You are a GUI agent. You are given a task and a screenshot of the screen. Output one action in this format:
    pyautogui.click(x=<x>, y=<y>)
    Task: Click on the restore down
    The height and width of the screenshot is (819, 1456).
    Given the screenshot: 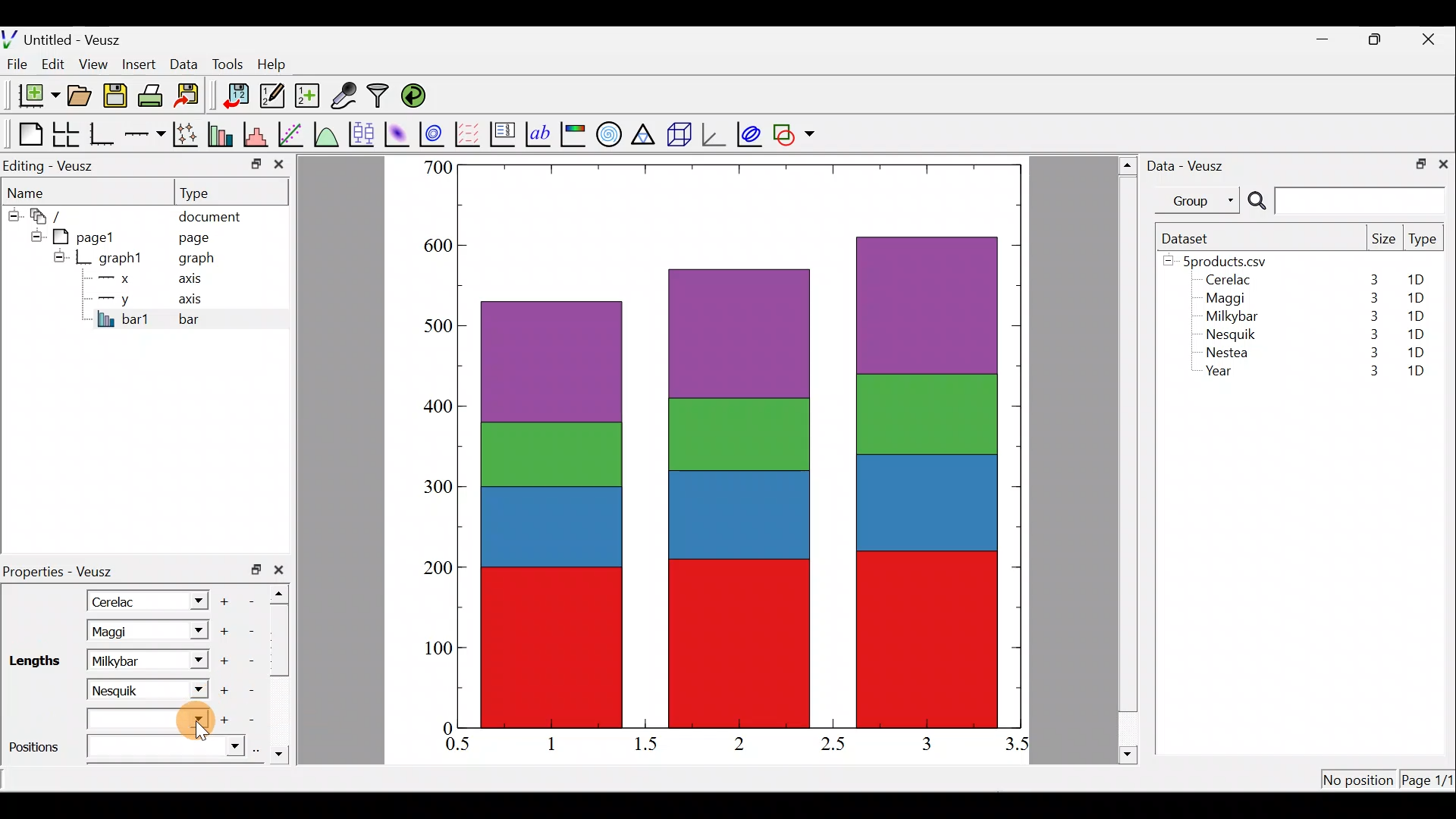 What is the action you would take?
    pyautogui.click(x=1416, y=162)
    